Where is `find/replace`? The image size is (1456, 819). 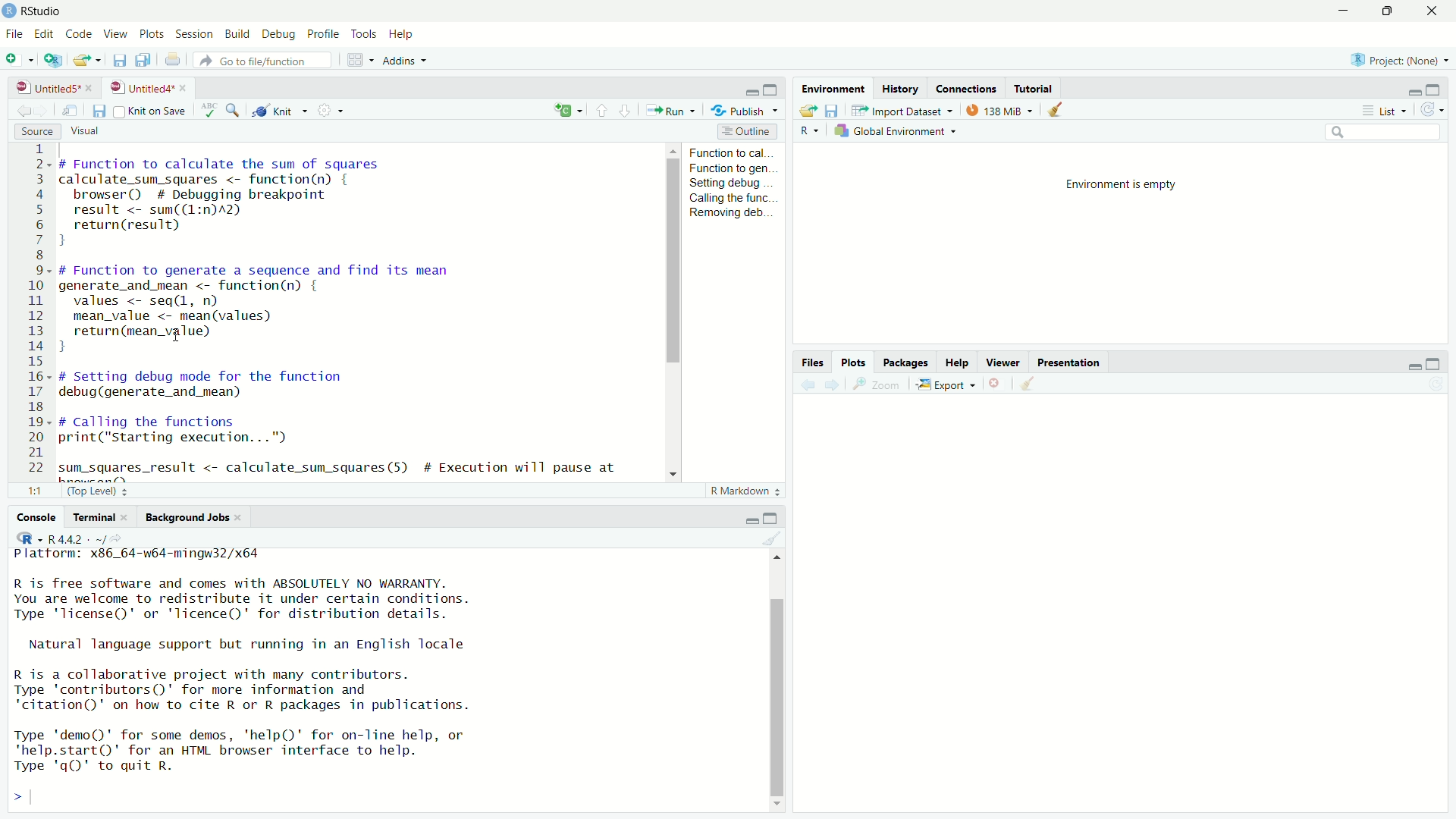 find/replace is located at coordinates (237, 111).